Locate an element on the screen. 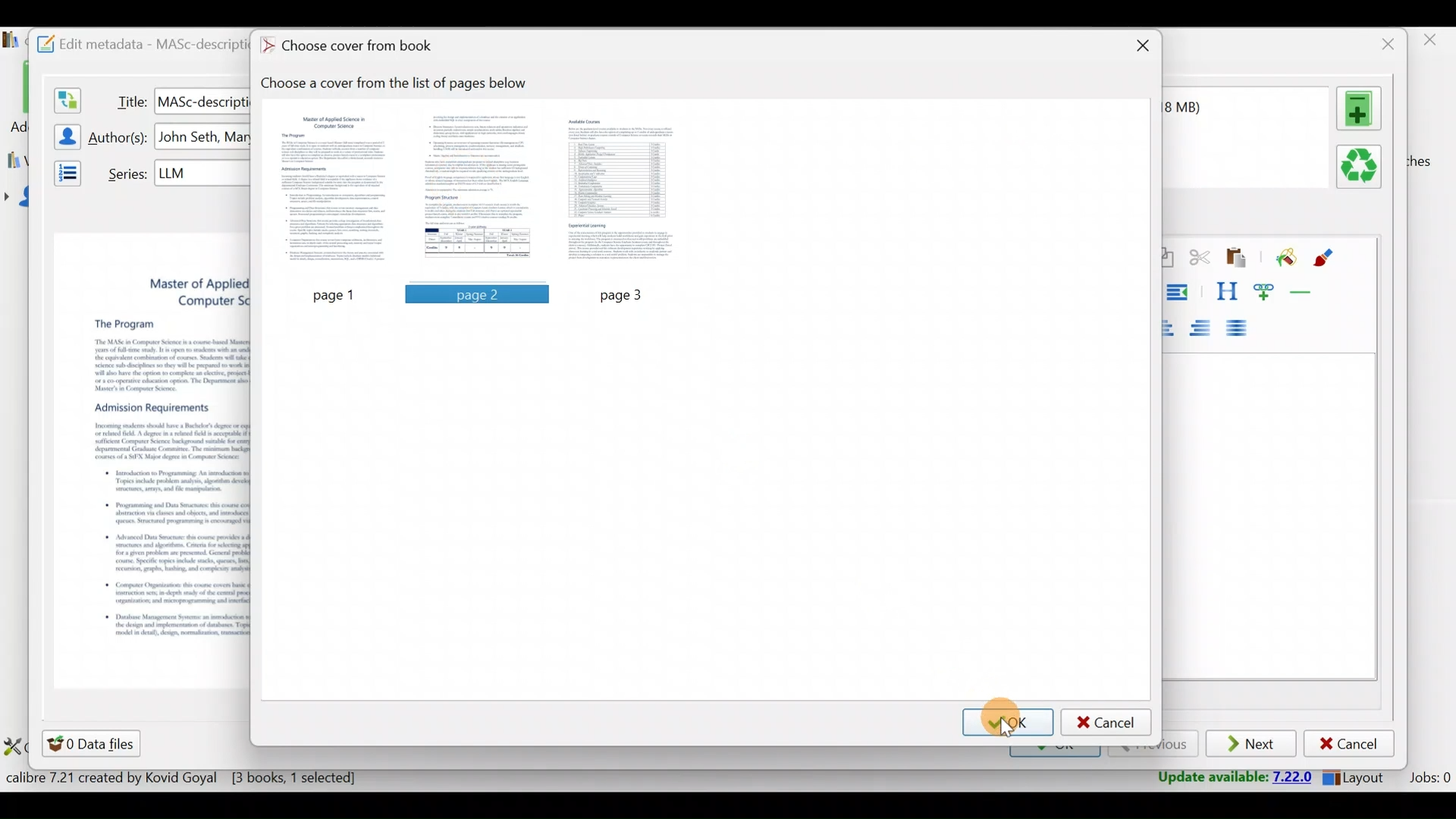 The image size is (1456, 819). Copy is located at coordinates (1167, 259).